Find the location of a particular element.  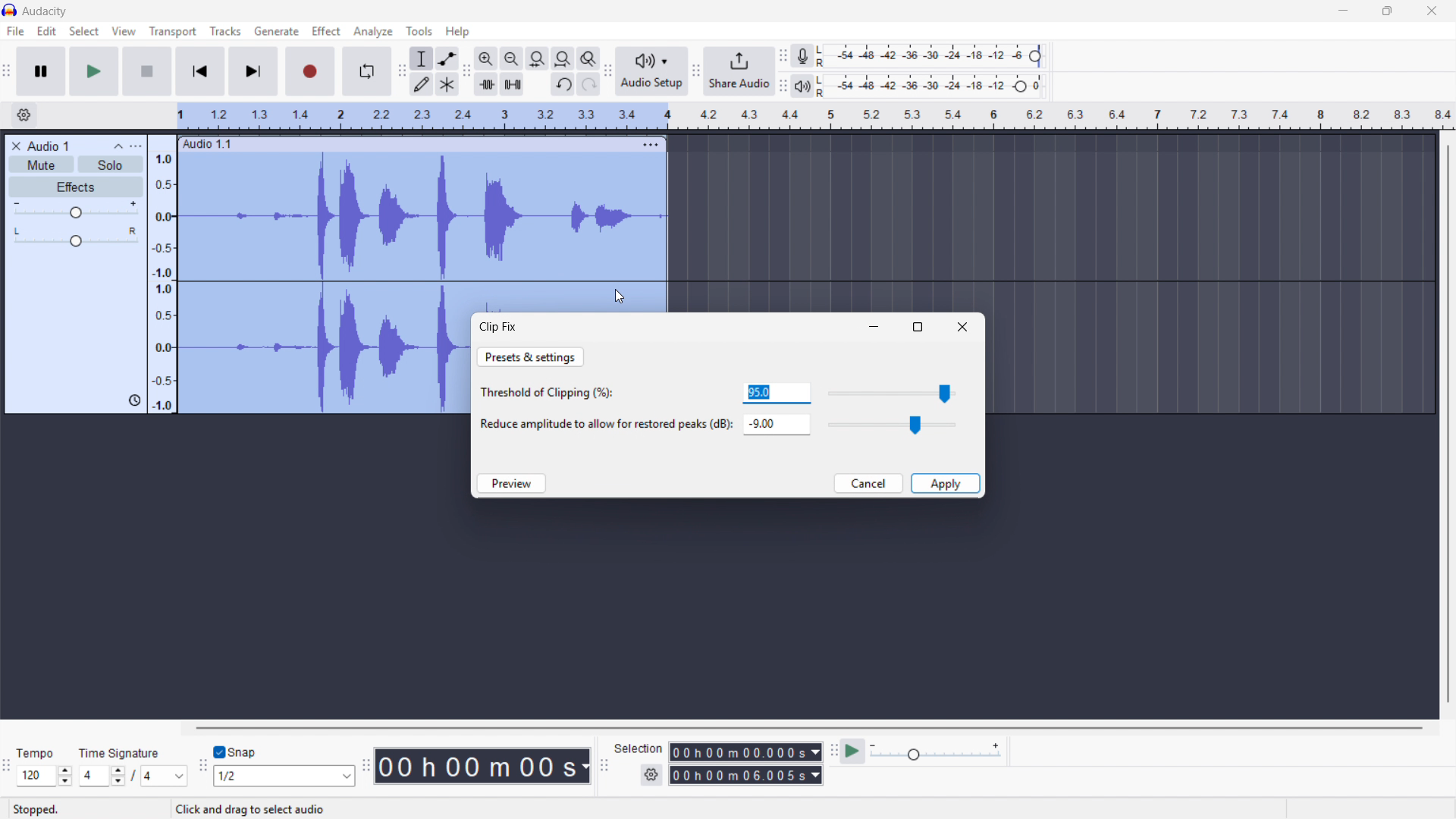

Help is located at coordinates (458, 32).